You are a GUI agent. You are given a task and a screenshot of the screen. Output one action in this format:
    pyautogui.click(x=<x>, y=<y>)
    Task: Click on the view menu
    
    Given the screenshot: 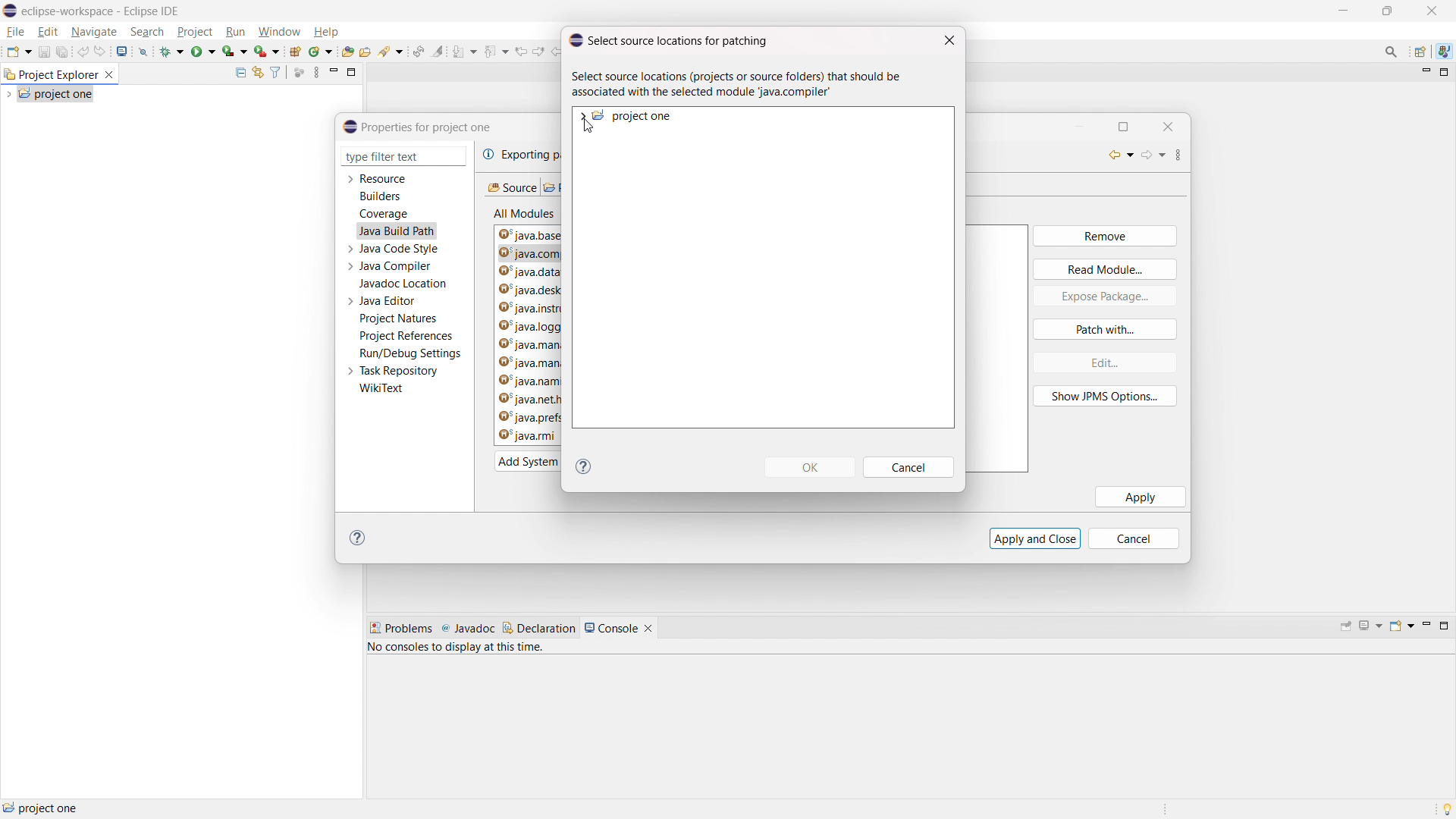 What is the action you would take?
    pyautogui.click(x=1186, y=155)
    